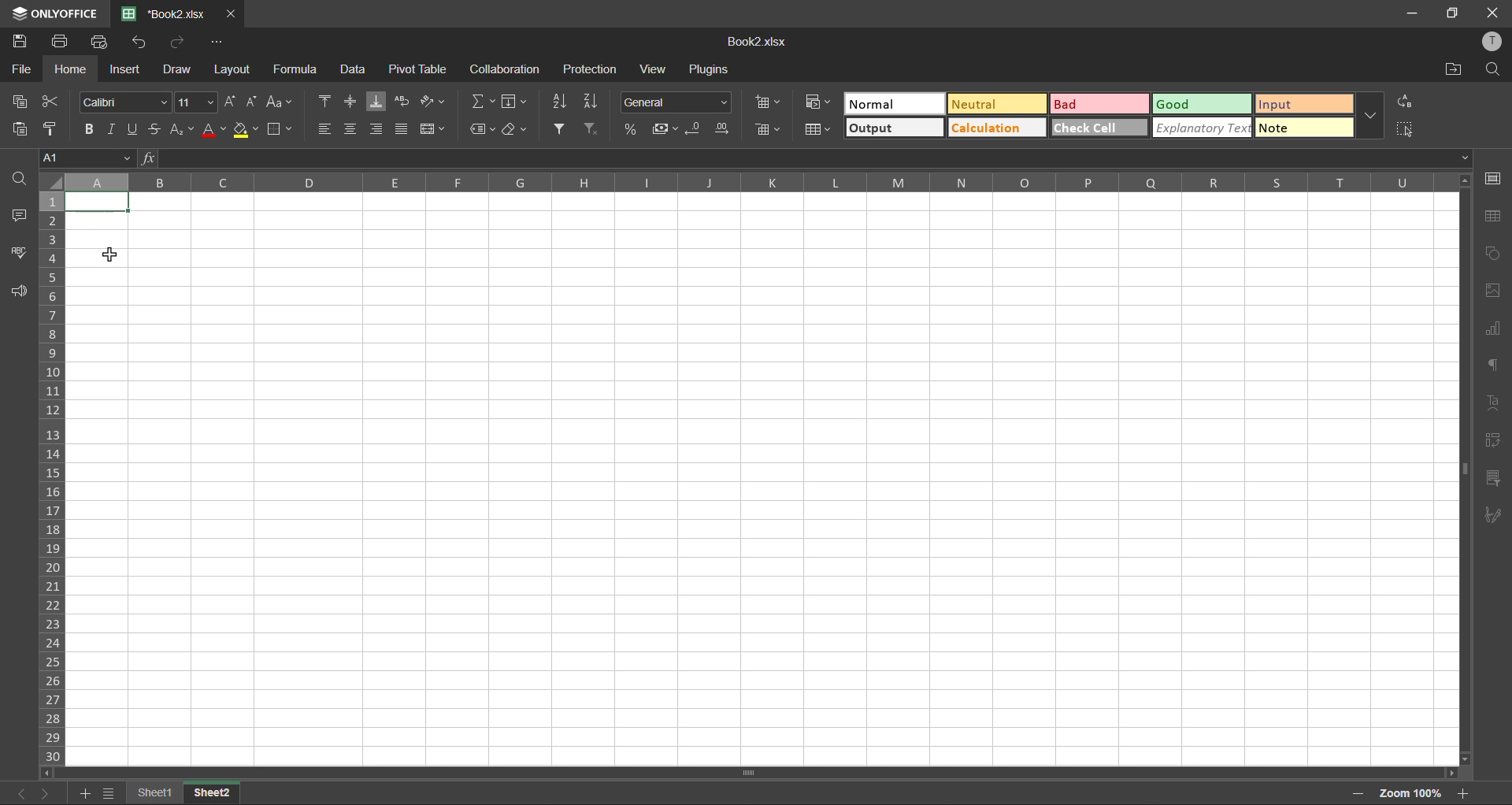 This screenshot has height=805, width=1512. I want to click on charts, so click(1492, 328).